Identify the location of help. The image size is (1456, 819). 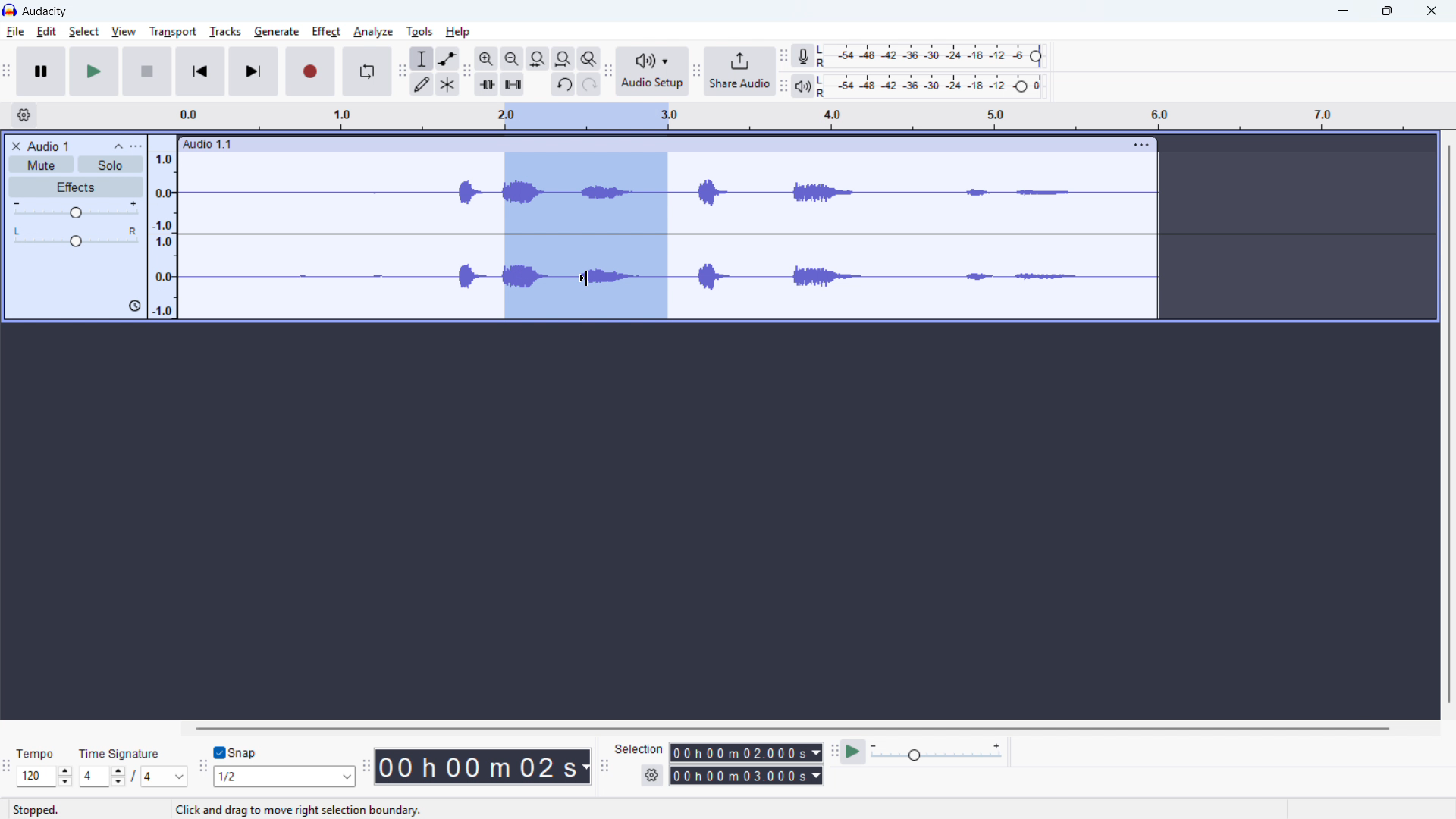
(457, 31).